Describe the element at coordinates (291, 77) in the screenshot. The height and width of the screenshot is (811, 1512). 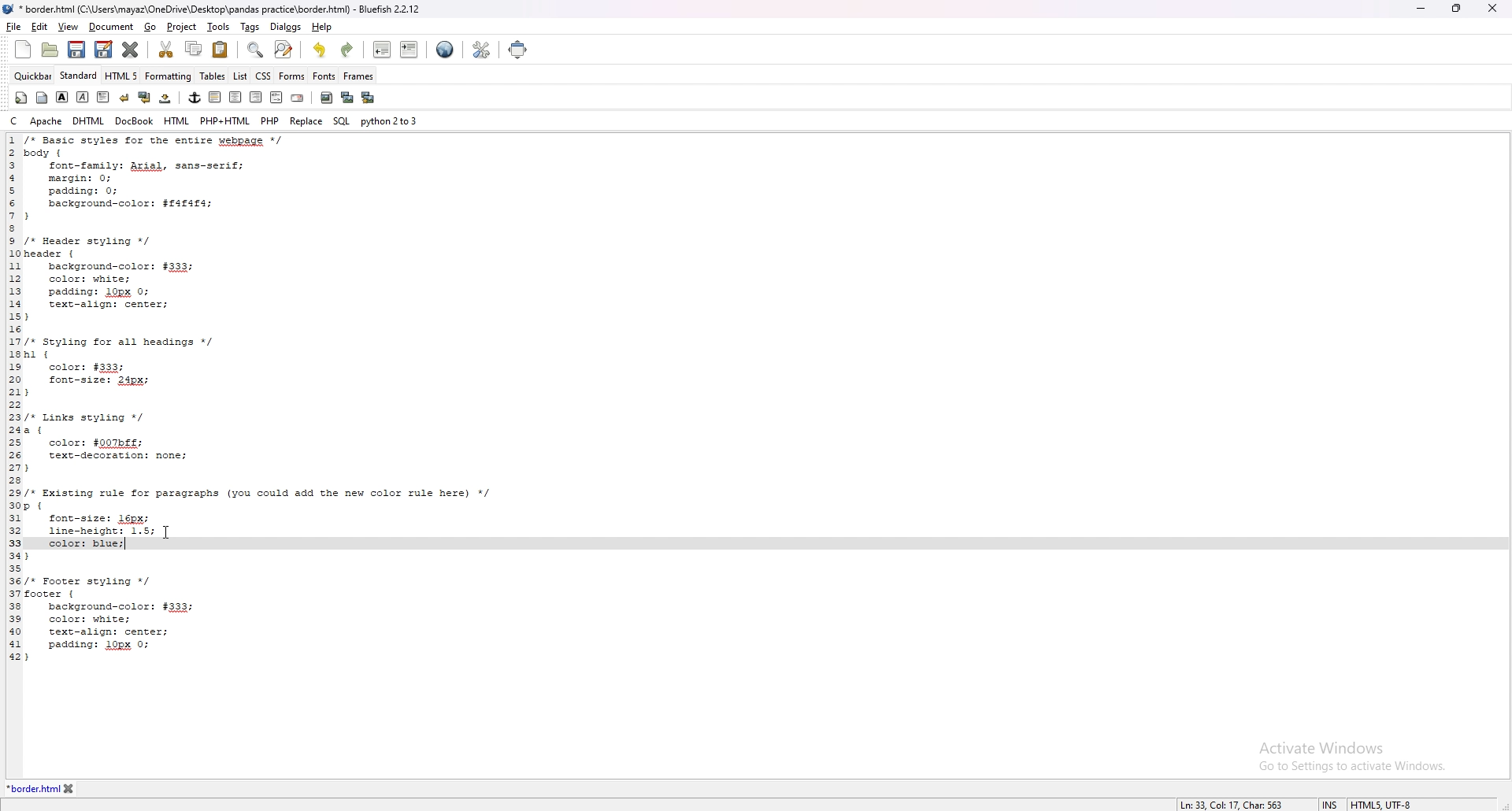
I see `forms` at that location.